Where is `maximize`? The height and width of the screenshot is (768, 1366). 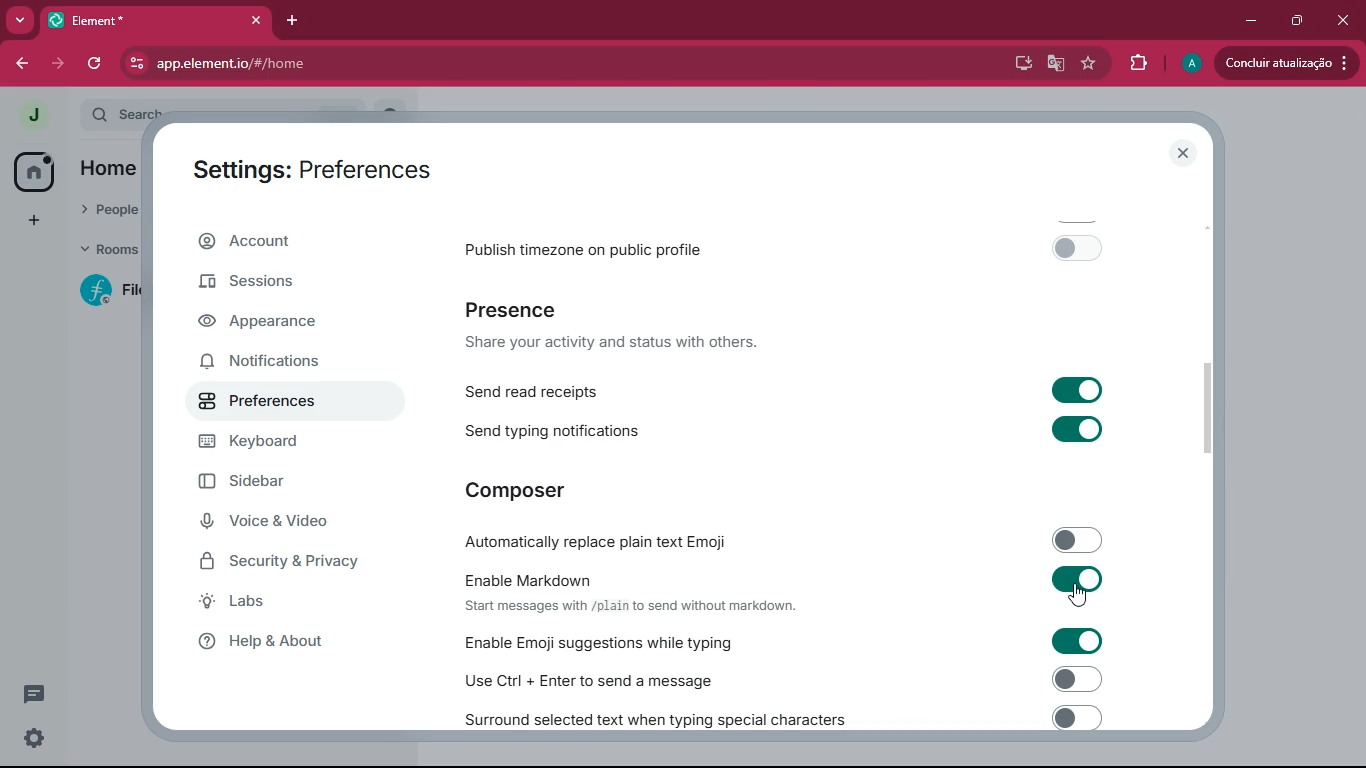 maximize is located at coordinates (1293, 21).